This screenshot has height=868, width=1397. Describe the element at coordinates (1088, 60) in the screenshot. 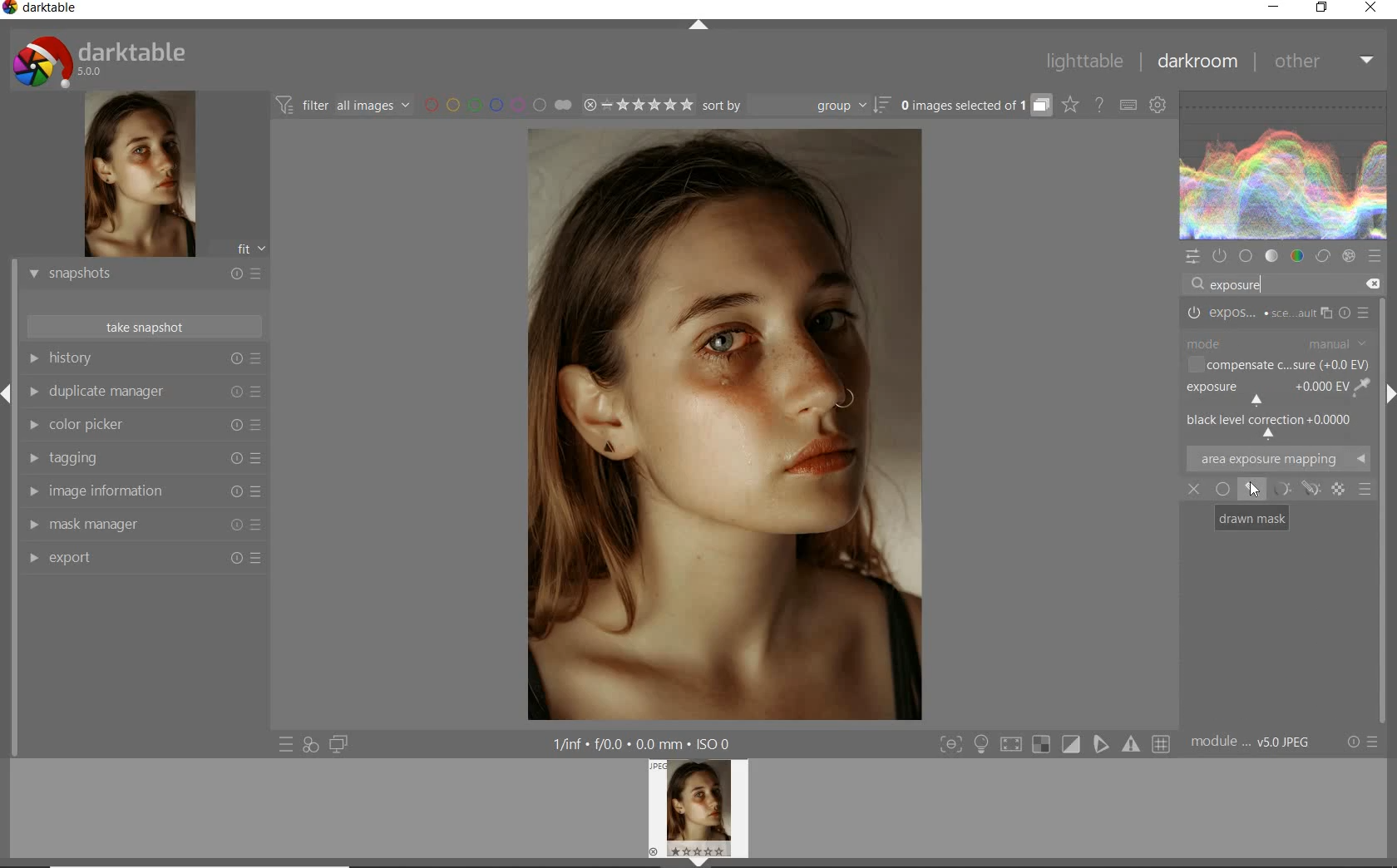

I see `lighttable` at that location.